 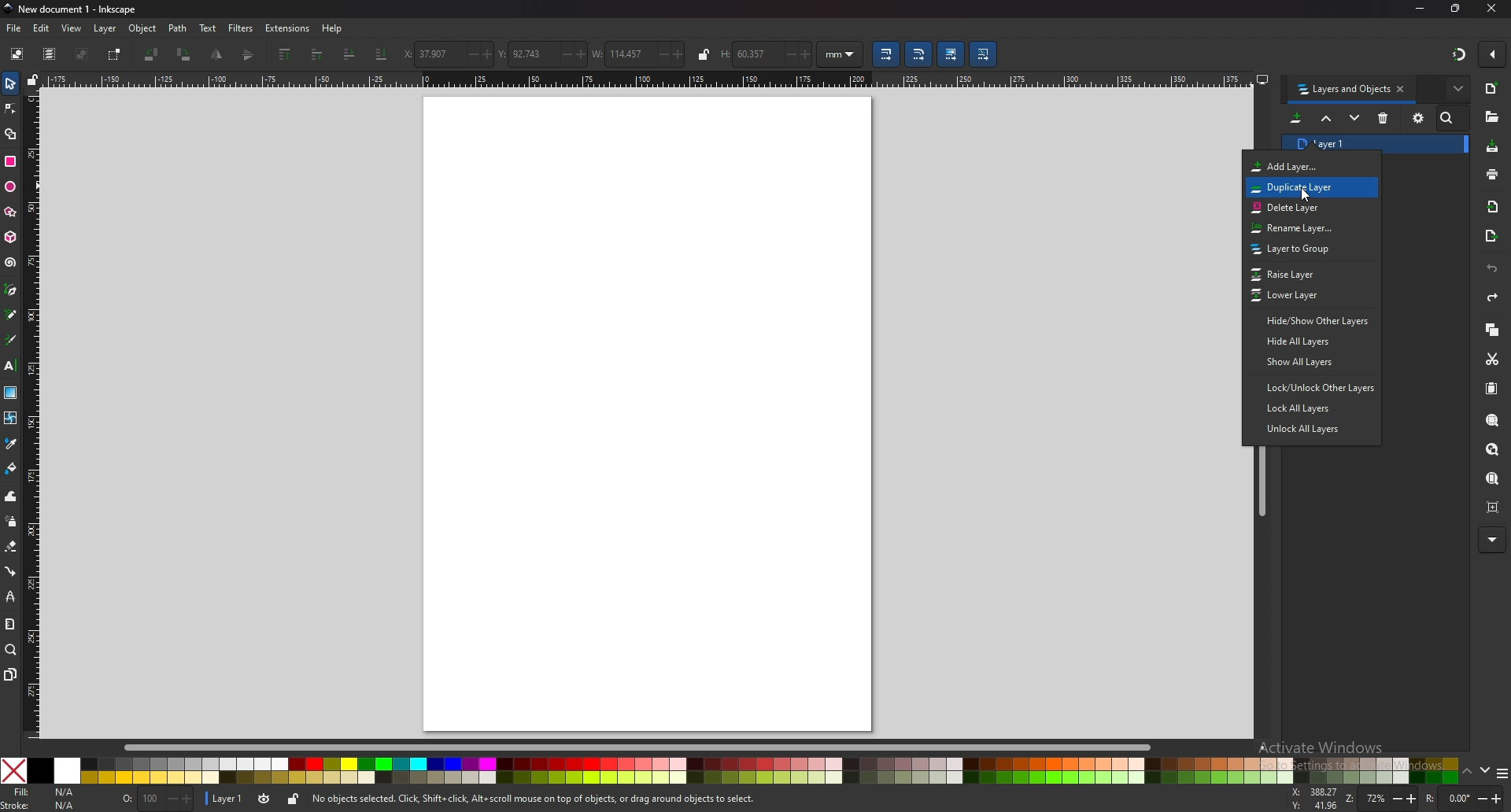 What do you see at coordinates (1313, 797) in the screenshot?
I see `cursor coordinates` at bounding box center [1313, 797].